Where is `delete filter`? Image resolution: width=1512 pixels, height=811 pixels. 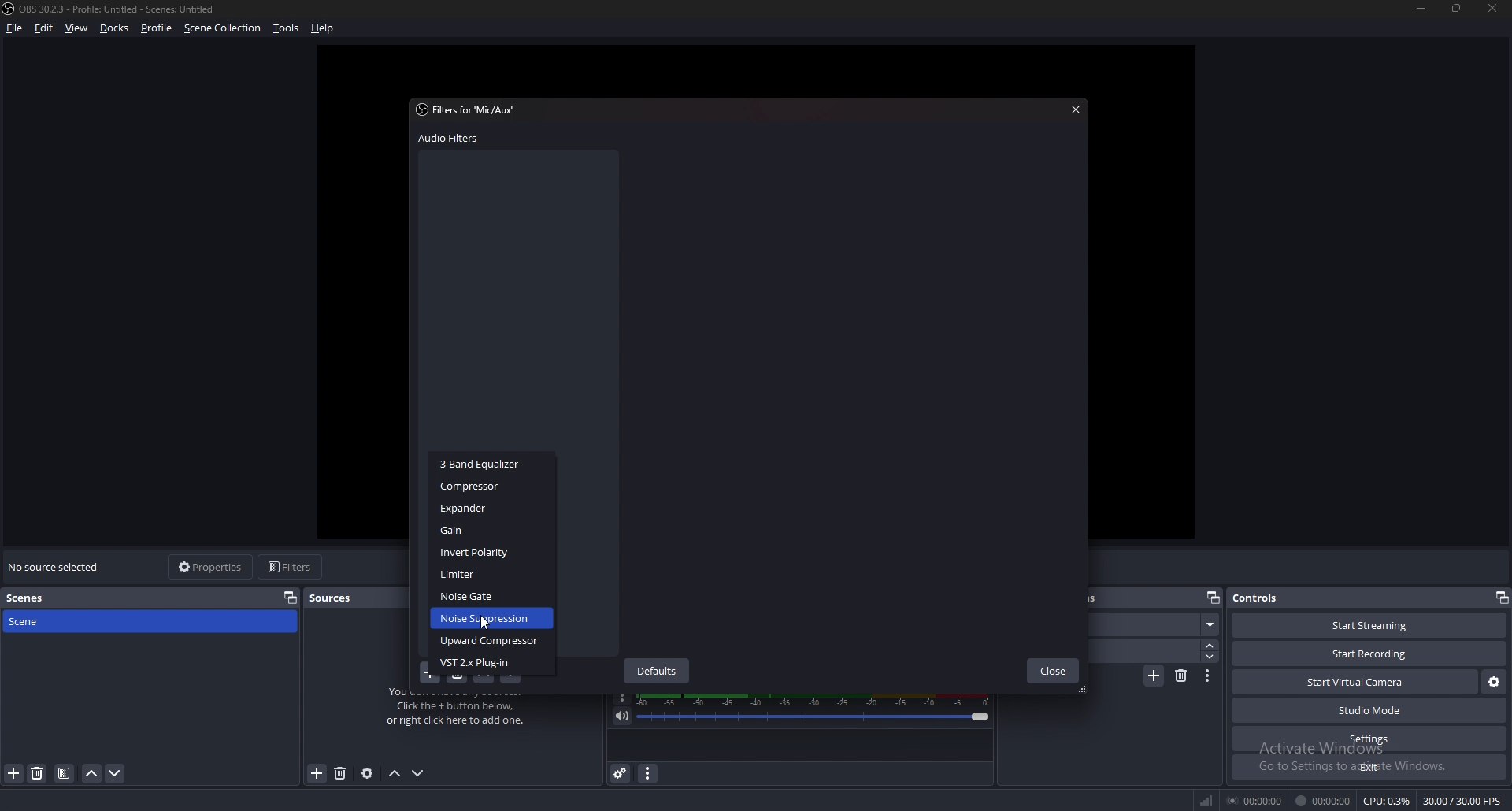 delete filter is located at coordinates (458, 679).